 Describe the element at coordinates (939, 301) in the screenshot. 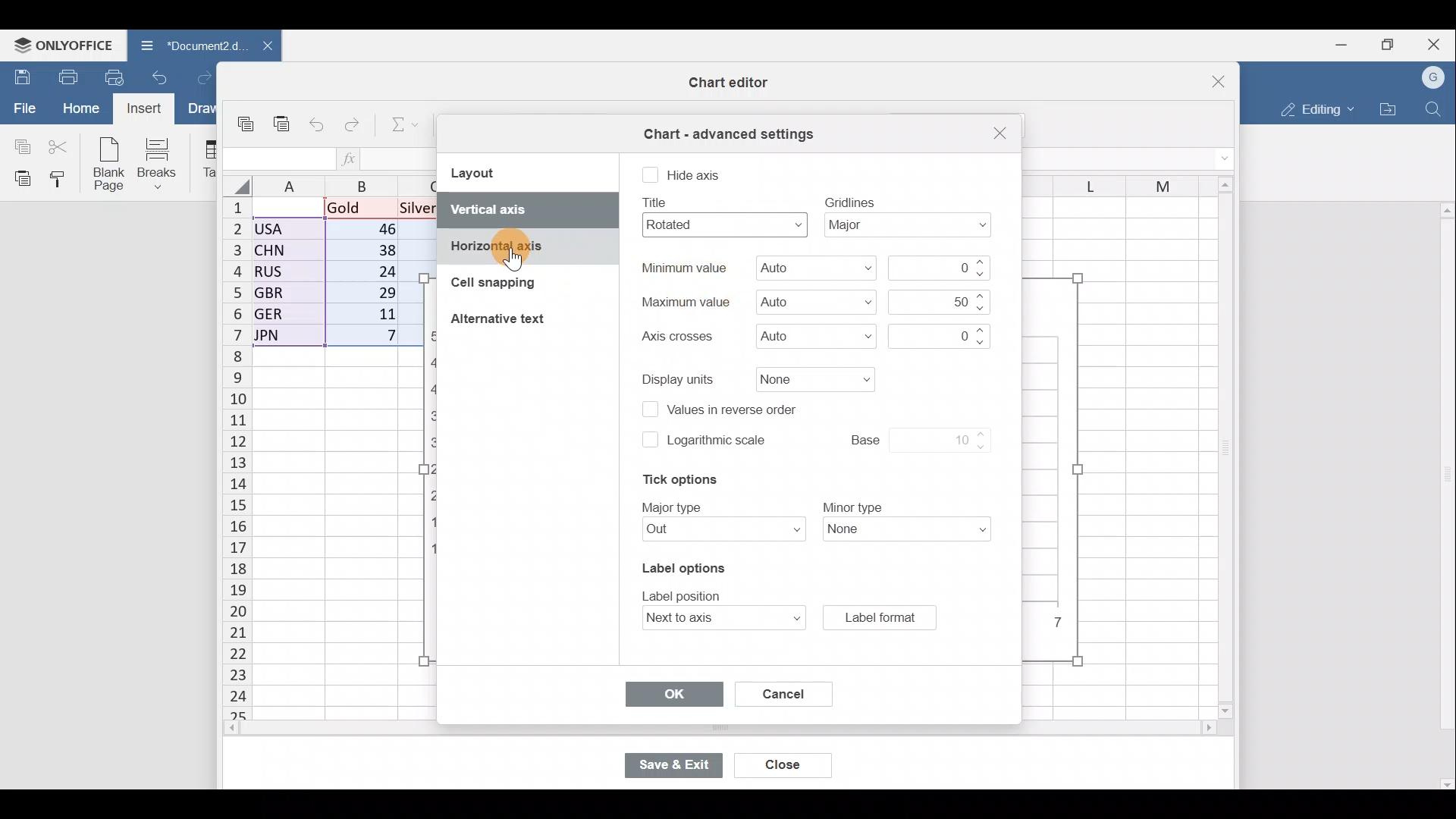

I see `Maximum value` at that location.